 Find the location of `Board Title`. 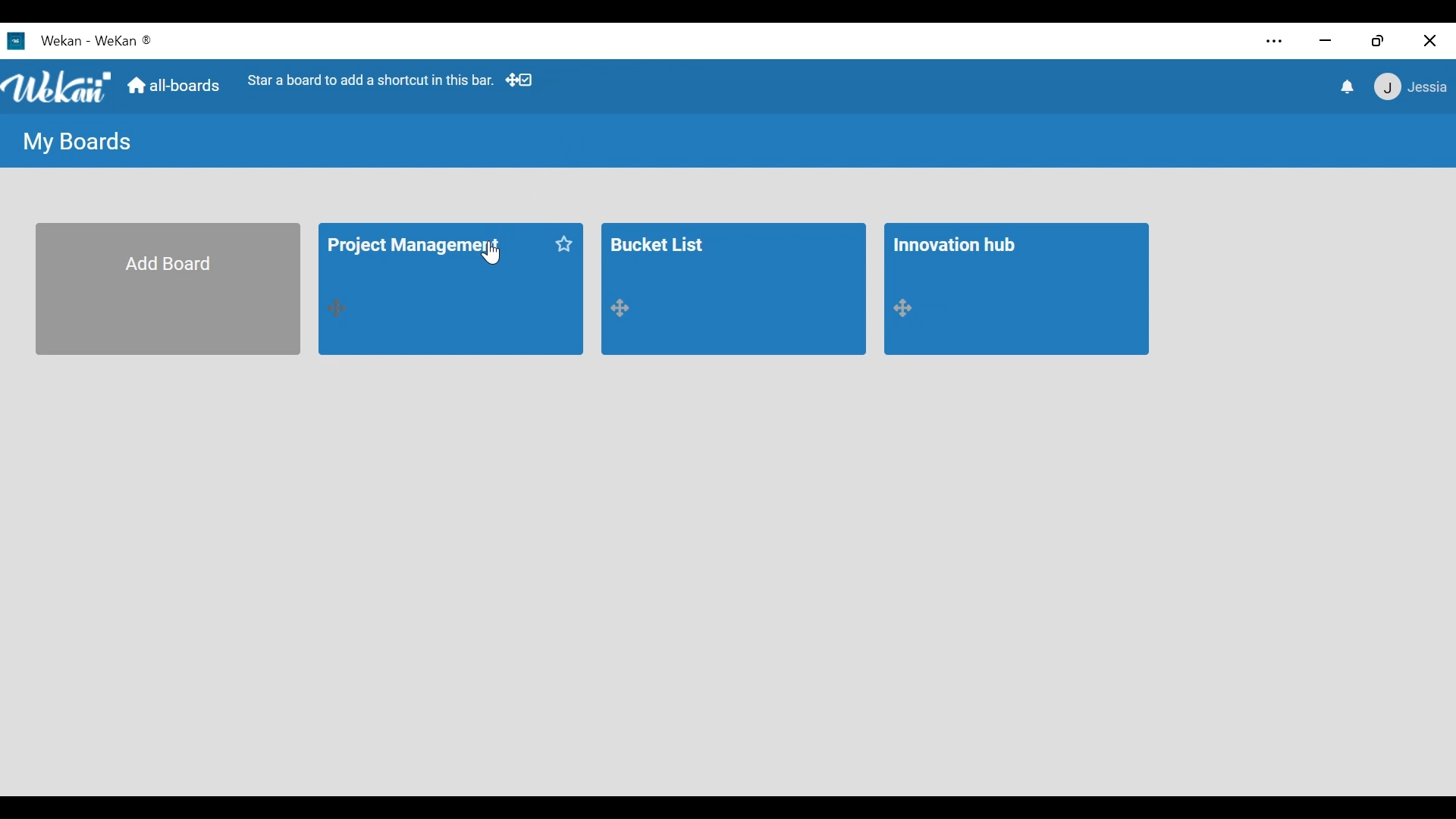

Board Title is located at coordinates (416, 248).